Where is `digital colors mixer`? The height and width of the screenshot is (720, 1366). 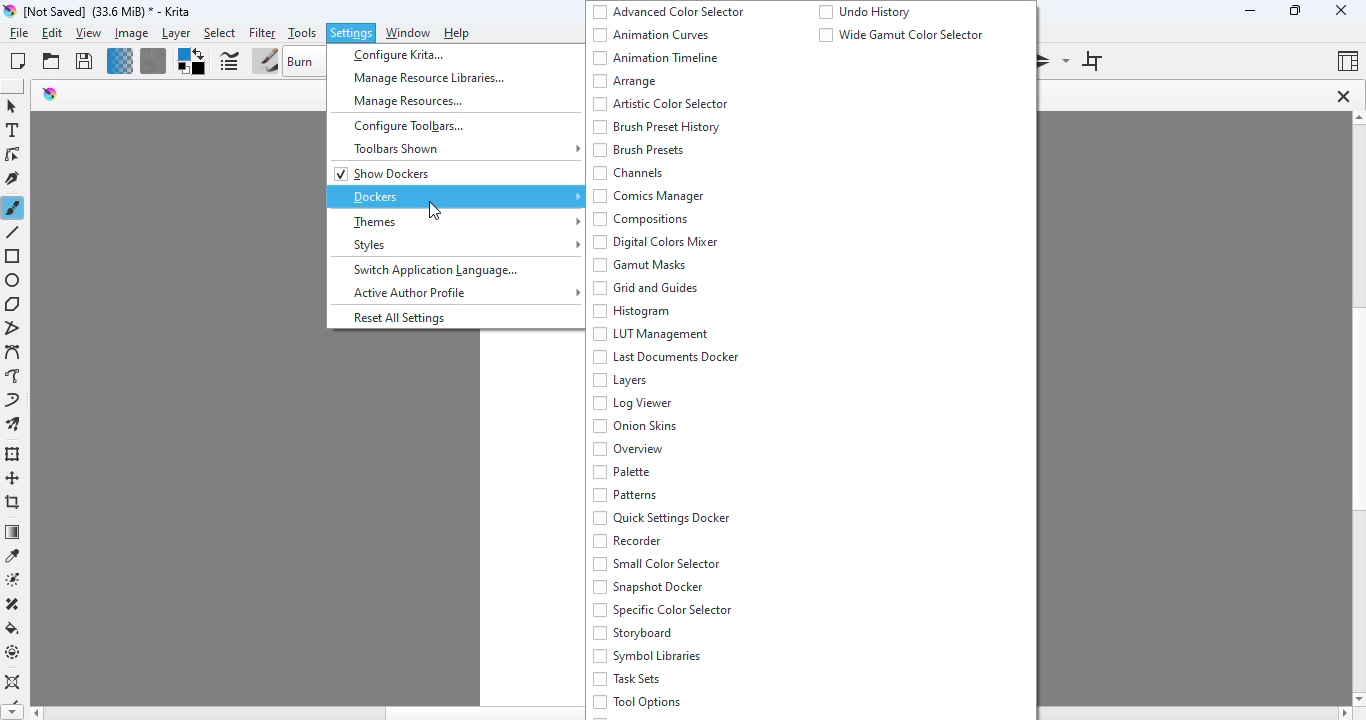
digital colors mixer is located at coordinates (657, 242).